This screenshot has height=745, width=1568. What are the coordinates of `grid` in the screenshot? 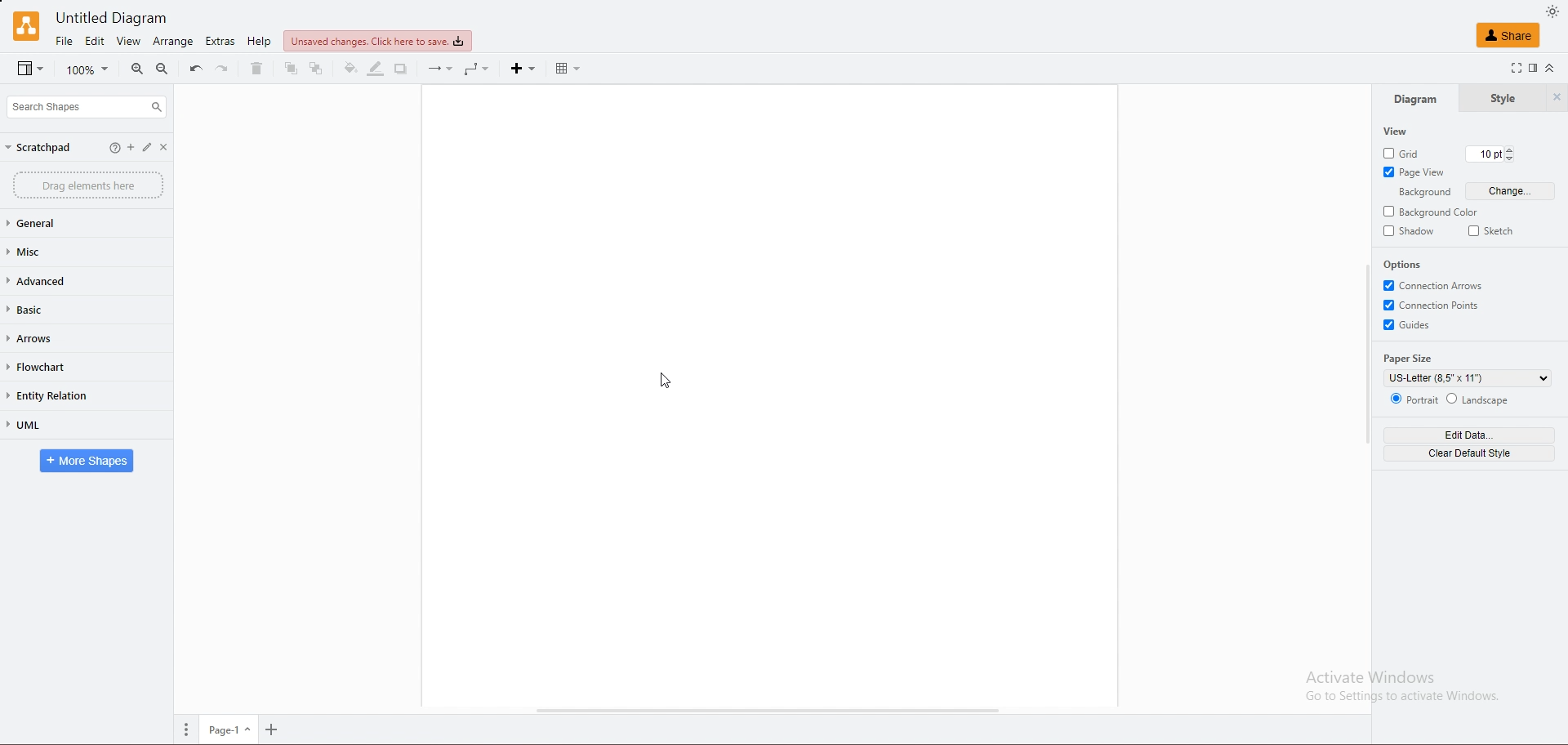 It's located at (1408, 152).